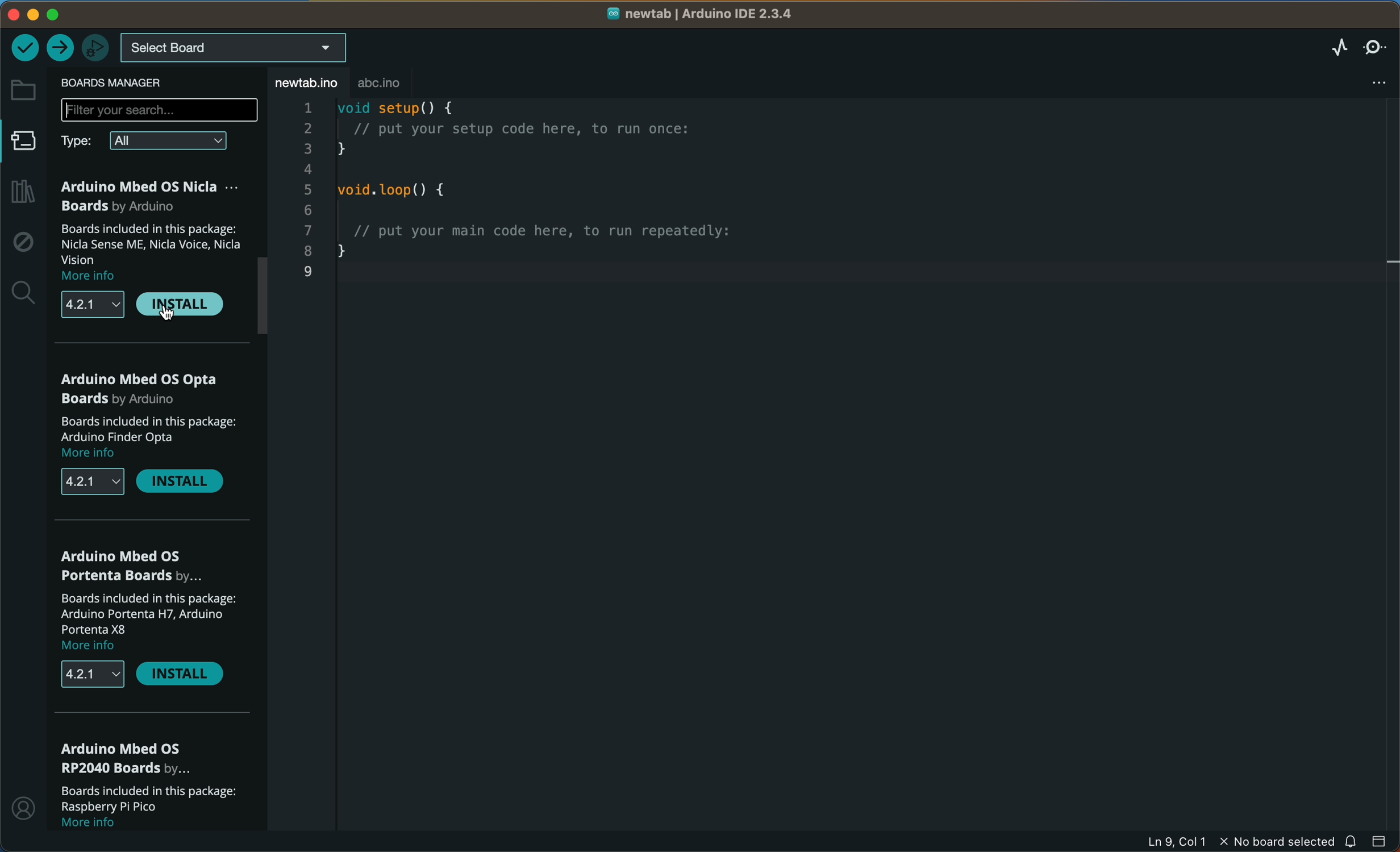 The image size is (1400, 852). I want to click on library manager, so click(25, 193).